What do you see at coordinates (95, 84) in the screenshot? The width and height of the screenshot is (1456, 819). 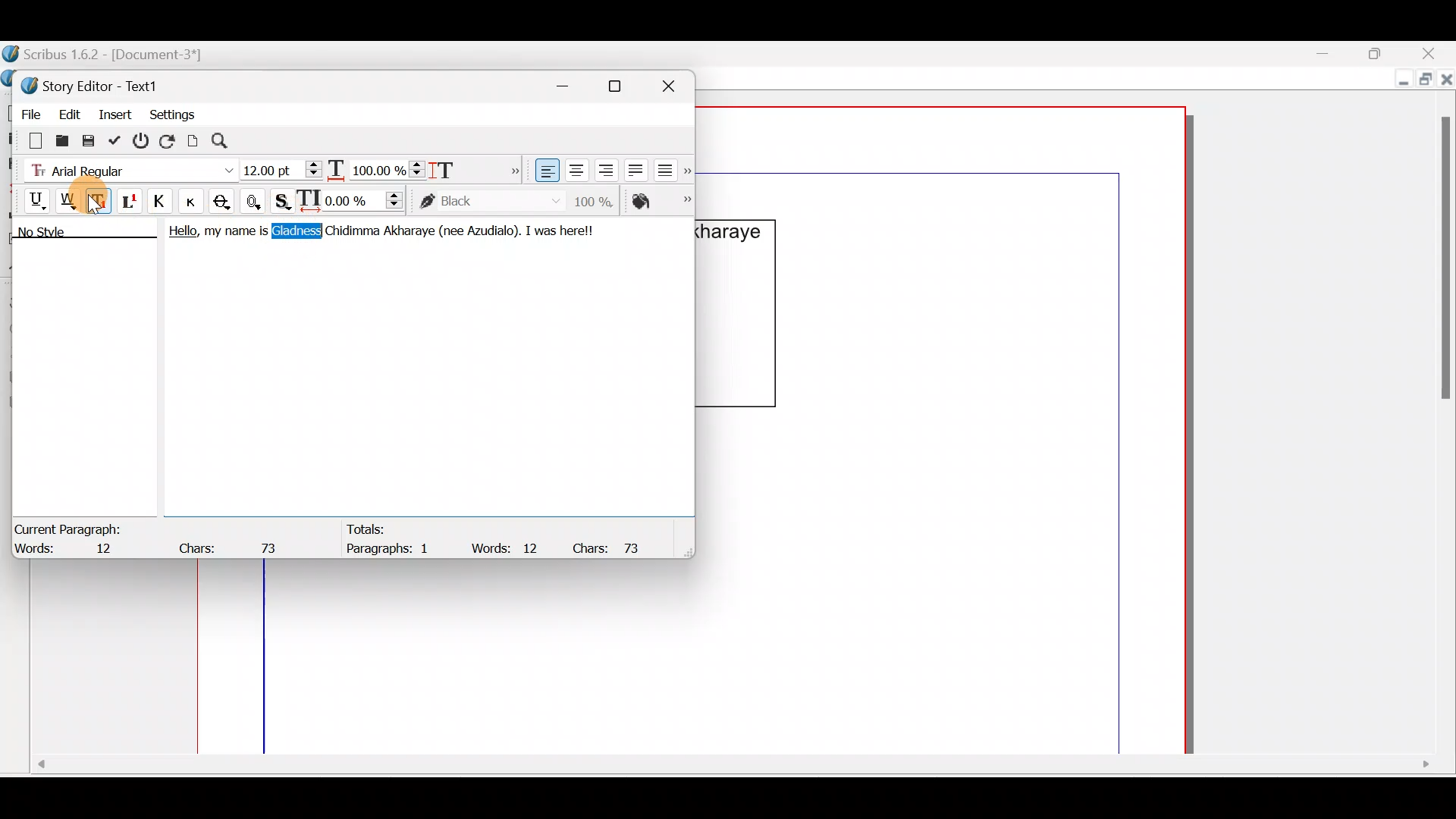 I see `Story Editor - Text1` at bounding box center [95, 84].